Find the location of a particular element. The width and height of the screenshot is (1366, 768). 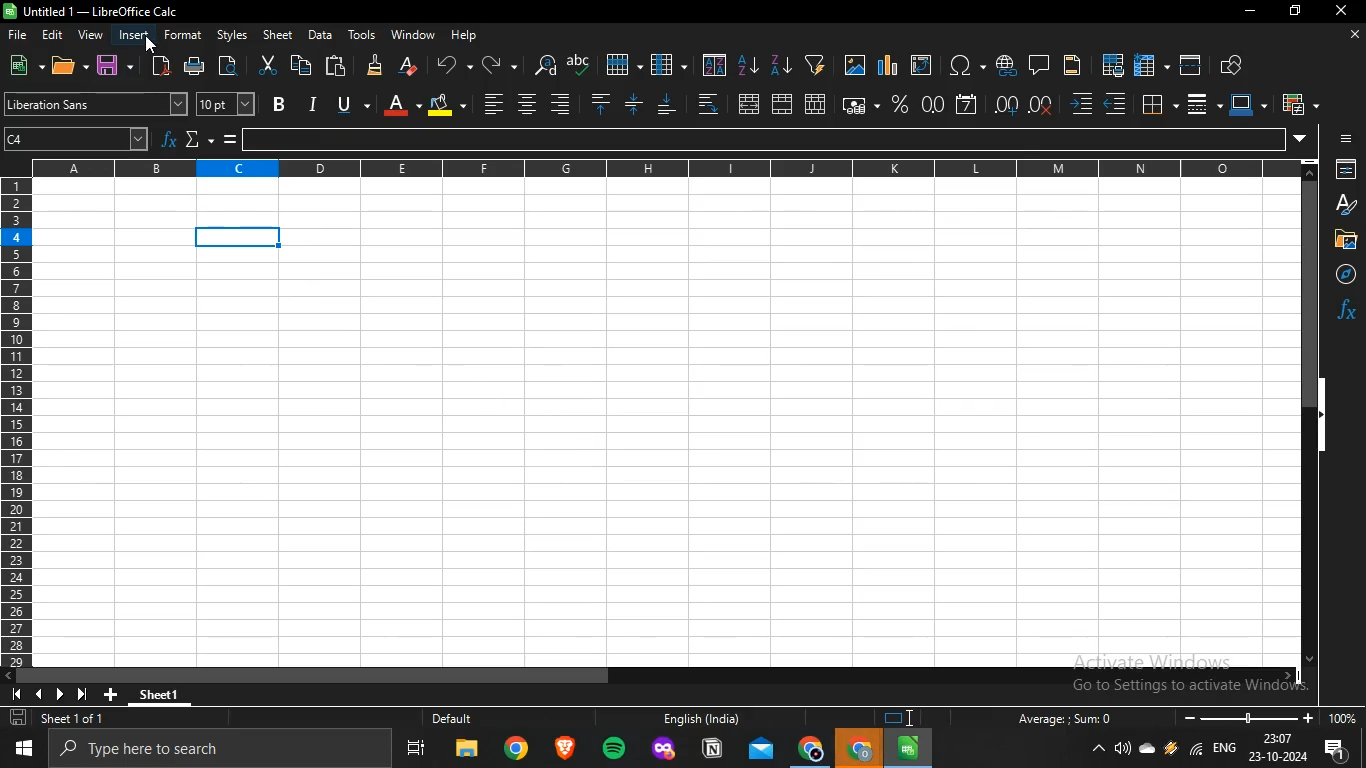

sheet 1 of 1 is located at coordinates (61, 719).